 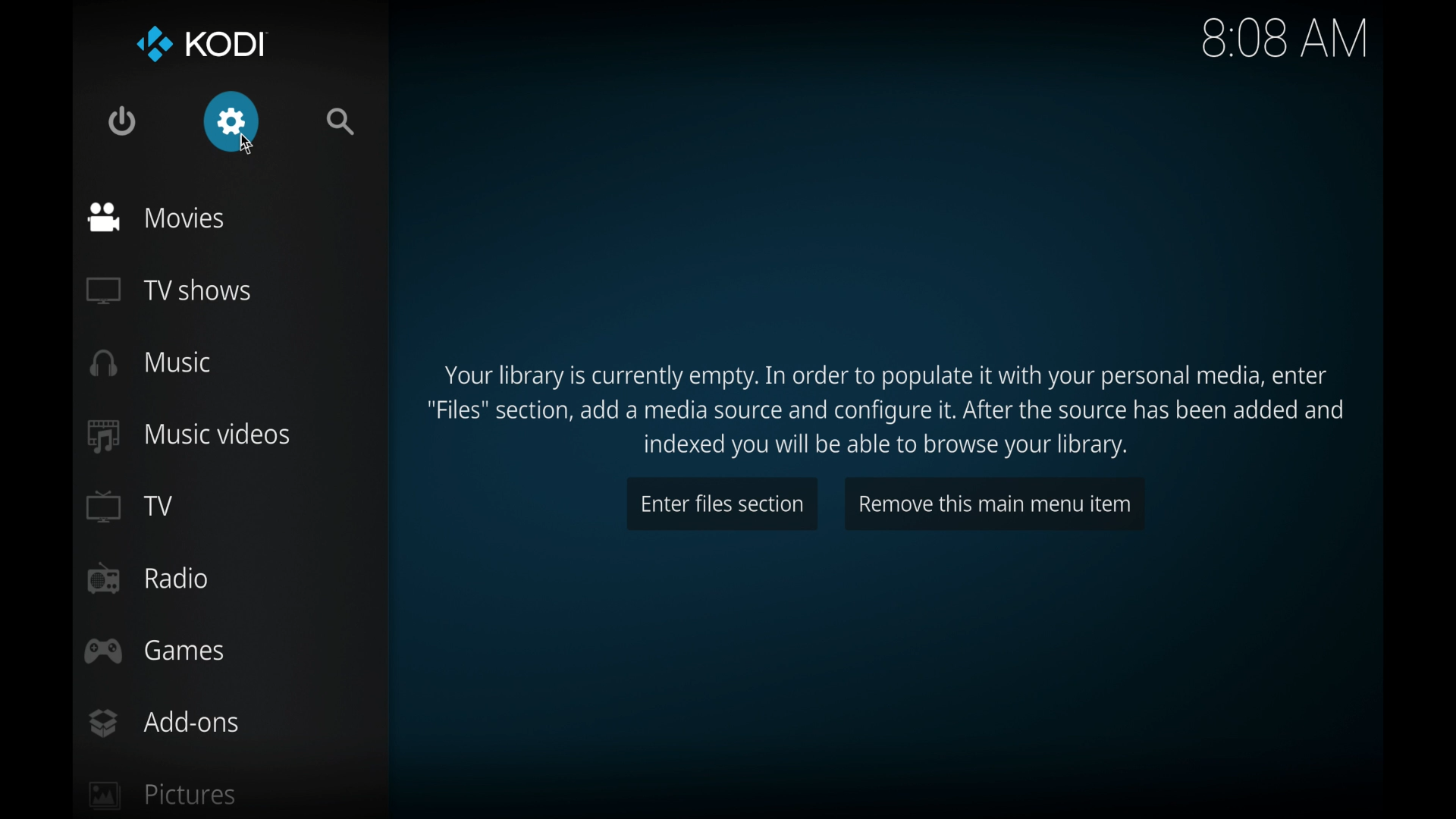 What do you see at coordinates (171, 290) in the screenshot?
I see `tv shows` at bounding box center [171, 290].